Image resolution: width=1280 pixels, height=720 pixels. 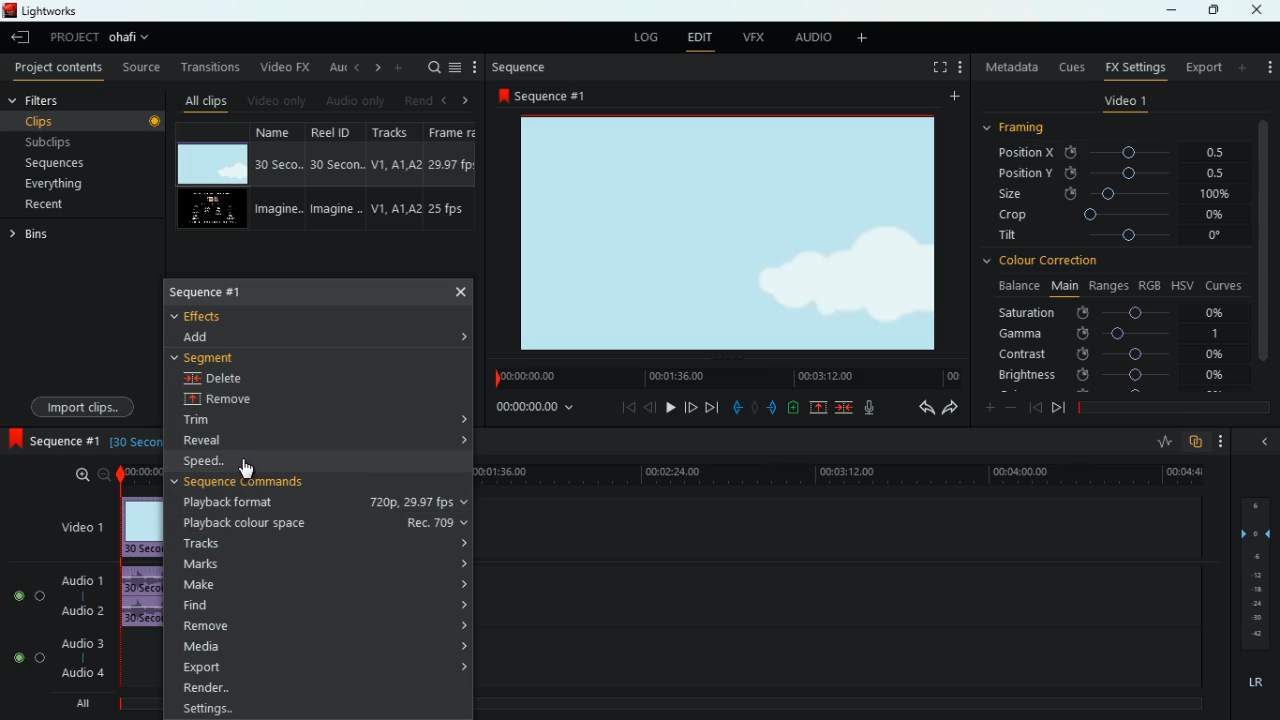 I want to click on overlap, so click(x=1196, y=443).